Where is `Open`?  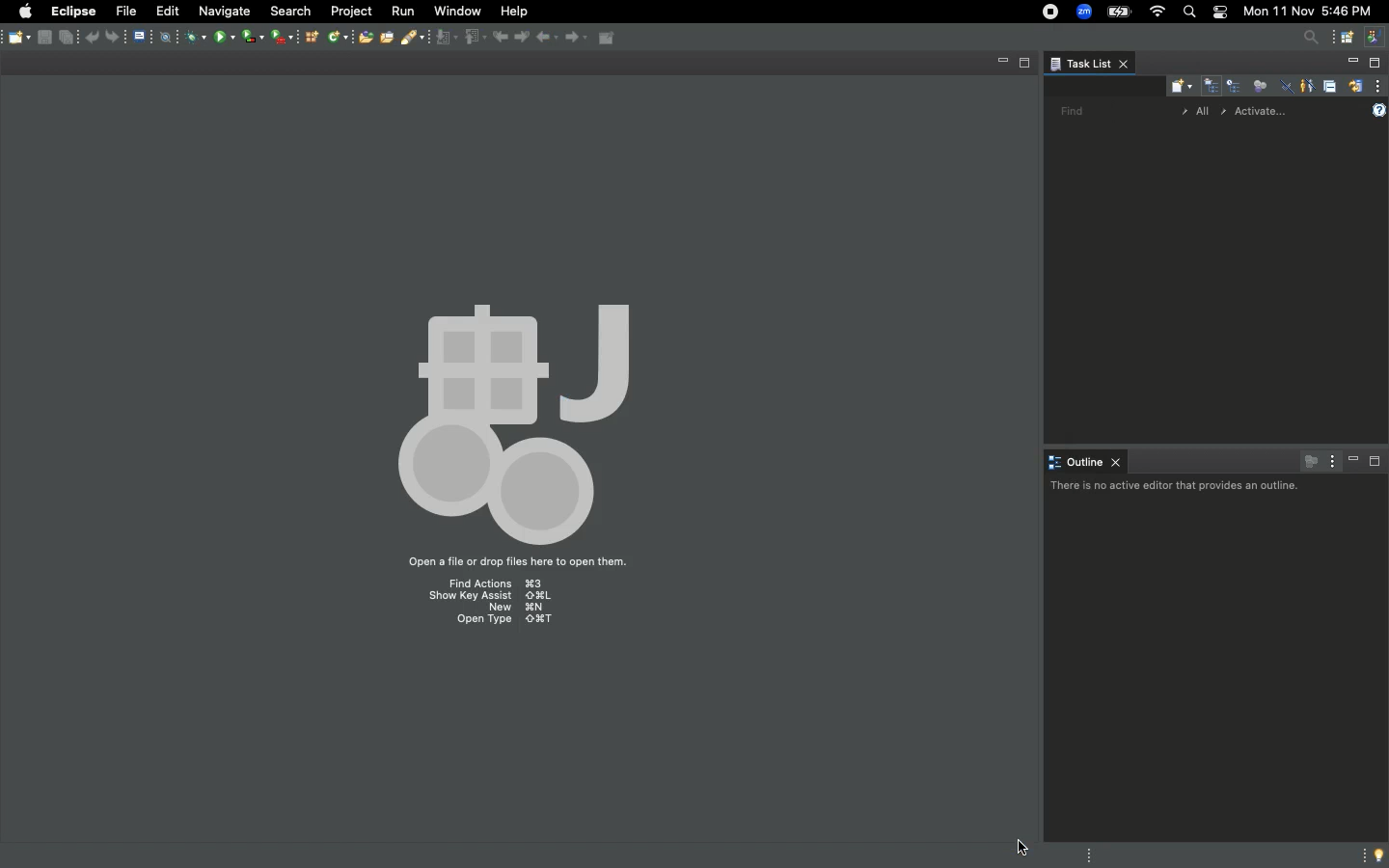
Open is located at coordinates (612, 39).